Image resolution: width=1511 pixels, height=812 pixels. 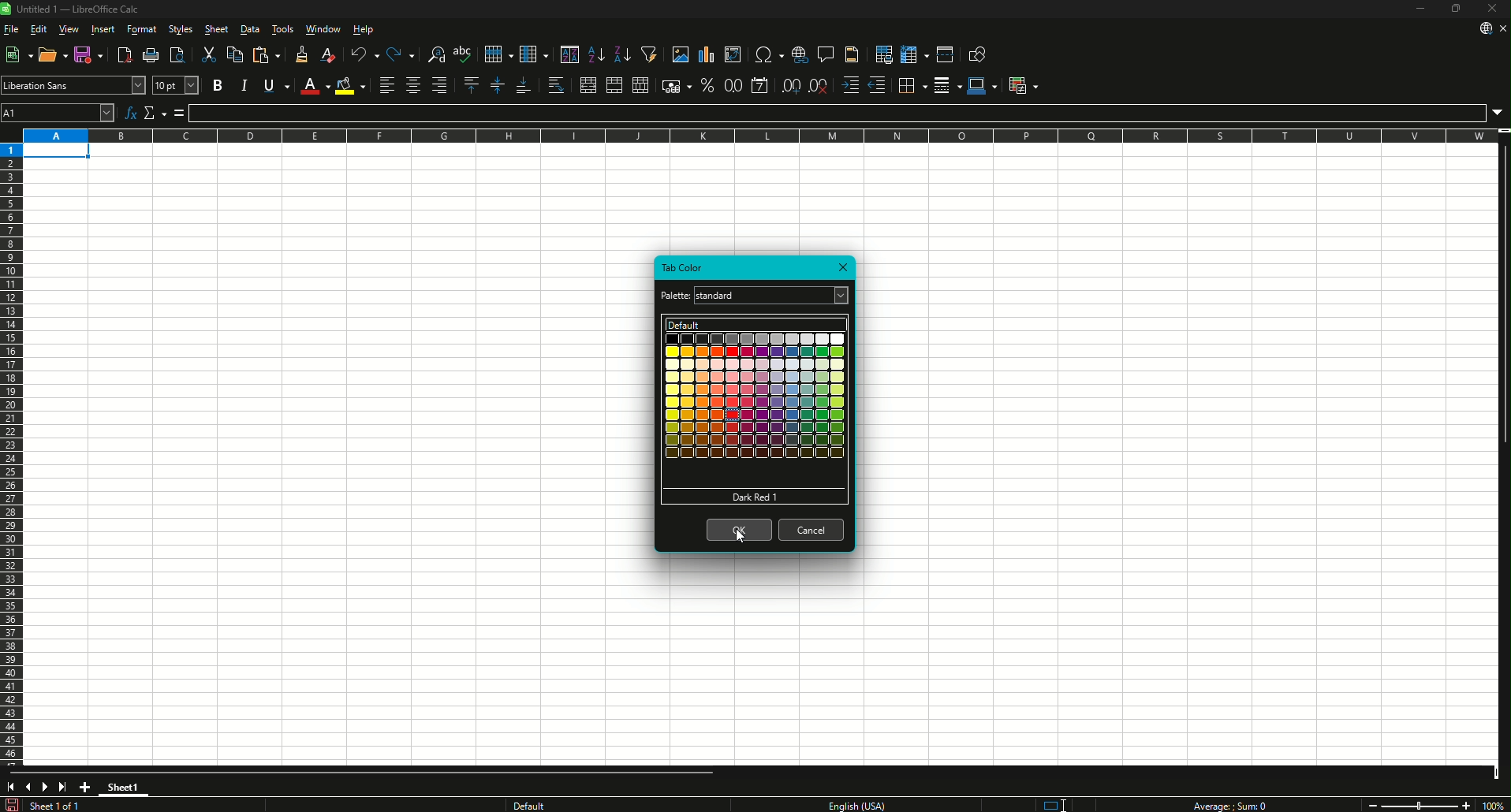 What do you see at coordinates (181, 28) in the screenshot?
I see `Styles` at bounding box center [181, 28].